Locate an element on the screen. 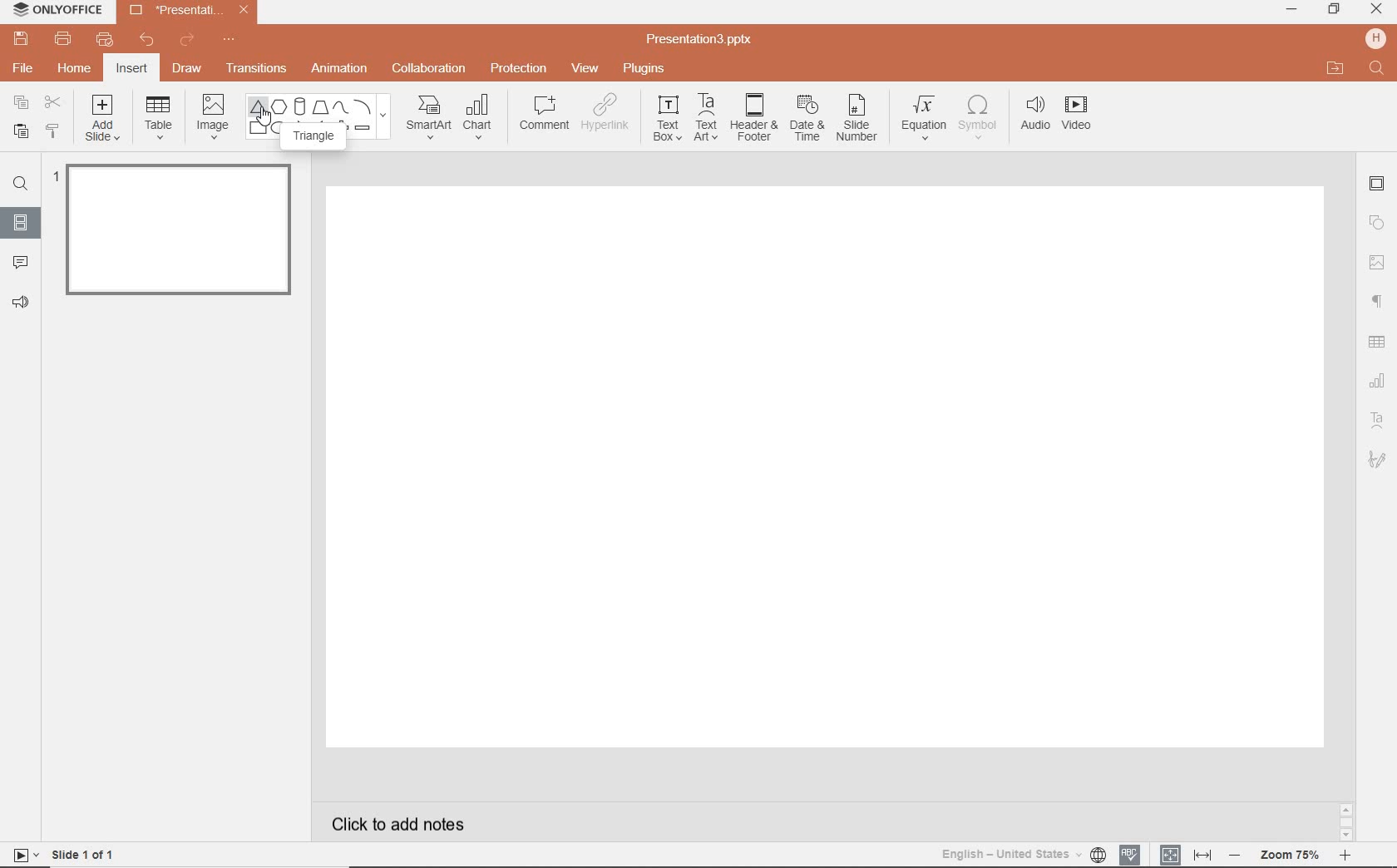 Image resolution: width=1397 pixels, height=868 pixels. HEADER & FOOTER is located at coordinates (753, 117).